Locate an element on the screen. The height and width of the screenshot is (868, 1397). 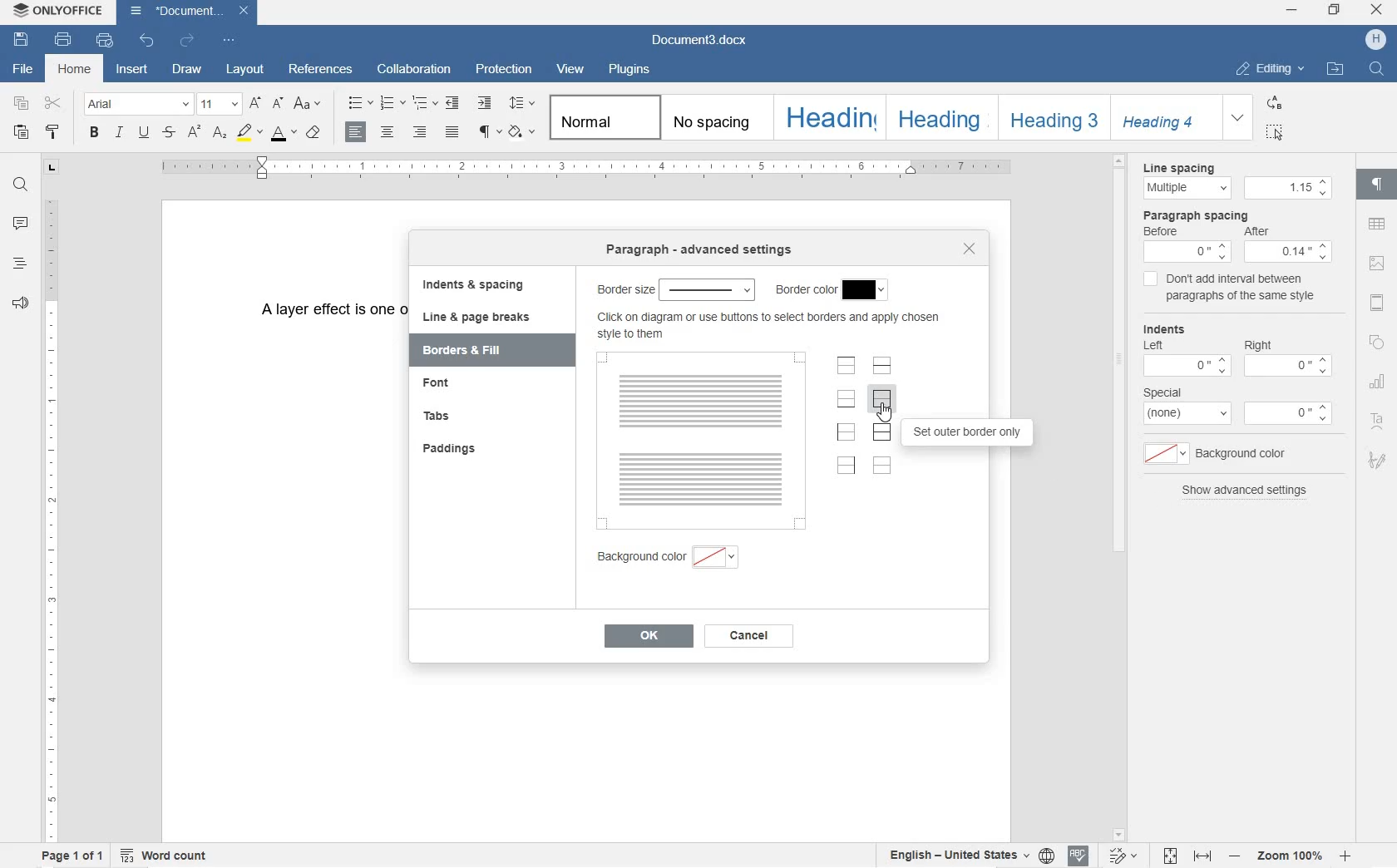
TAB is located at coordinates (52, 169).